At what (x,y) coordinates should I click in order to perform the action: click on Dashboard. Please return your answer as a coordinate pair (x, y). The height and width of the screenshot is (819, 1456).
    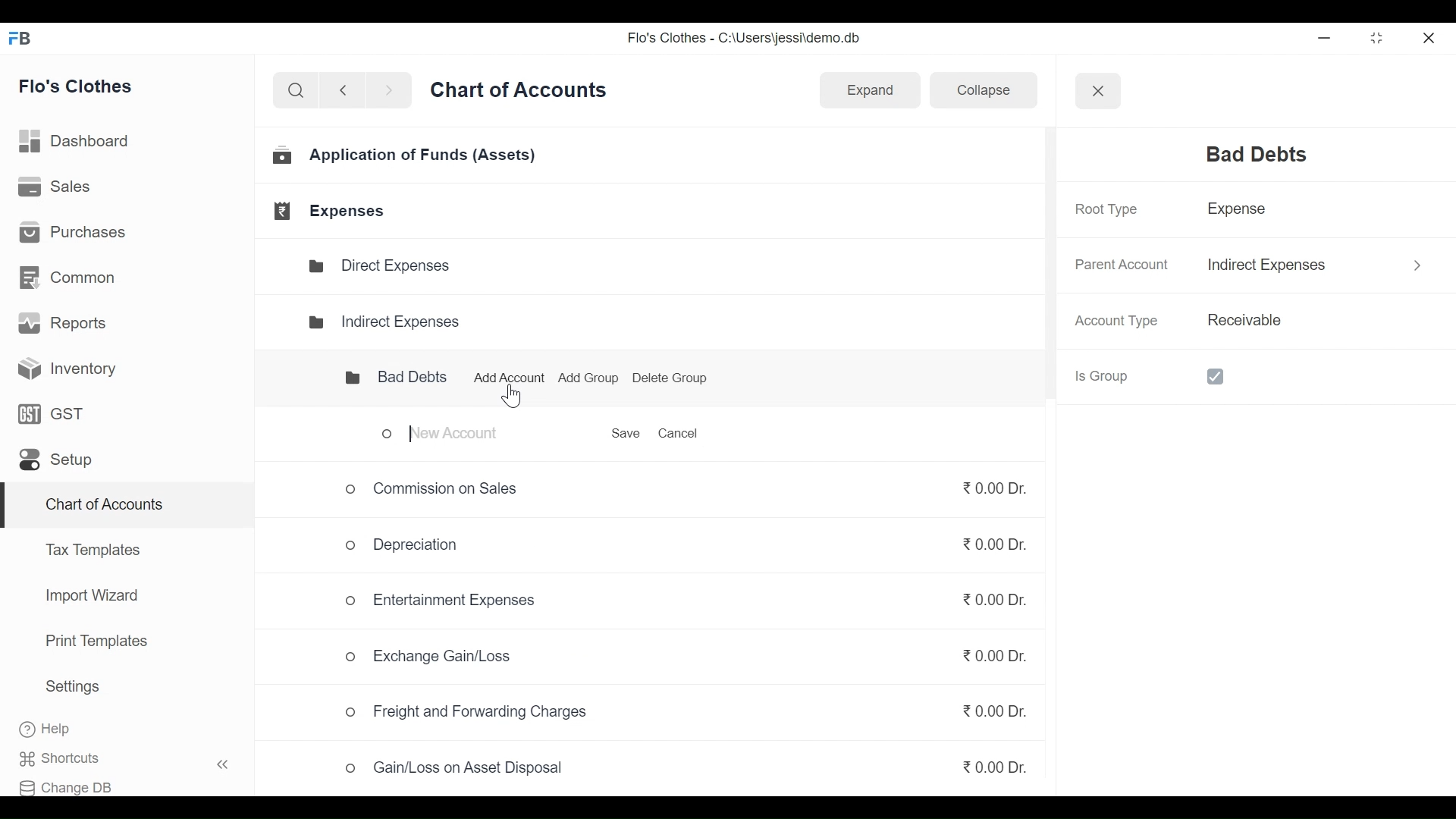
    Looking at the image, I should click on (81, 141).